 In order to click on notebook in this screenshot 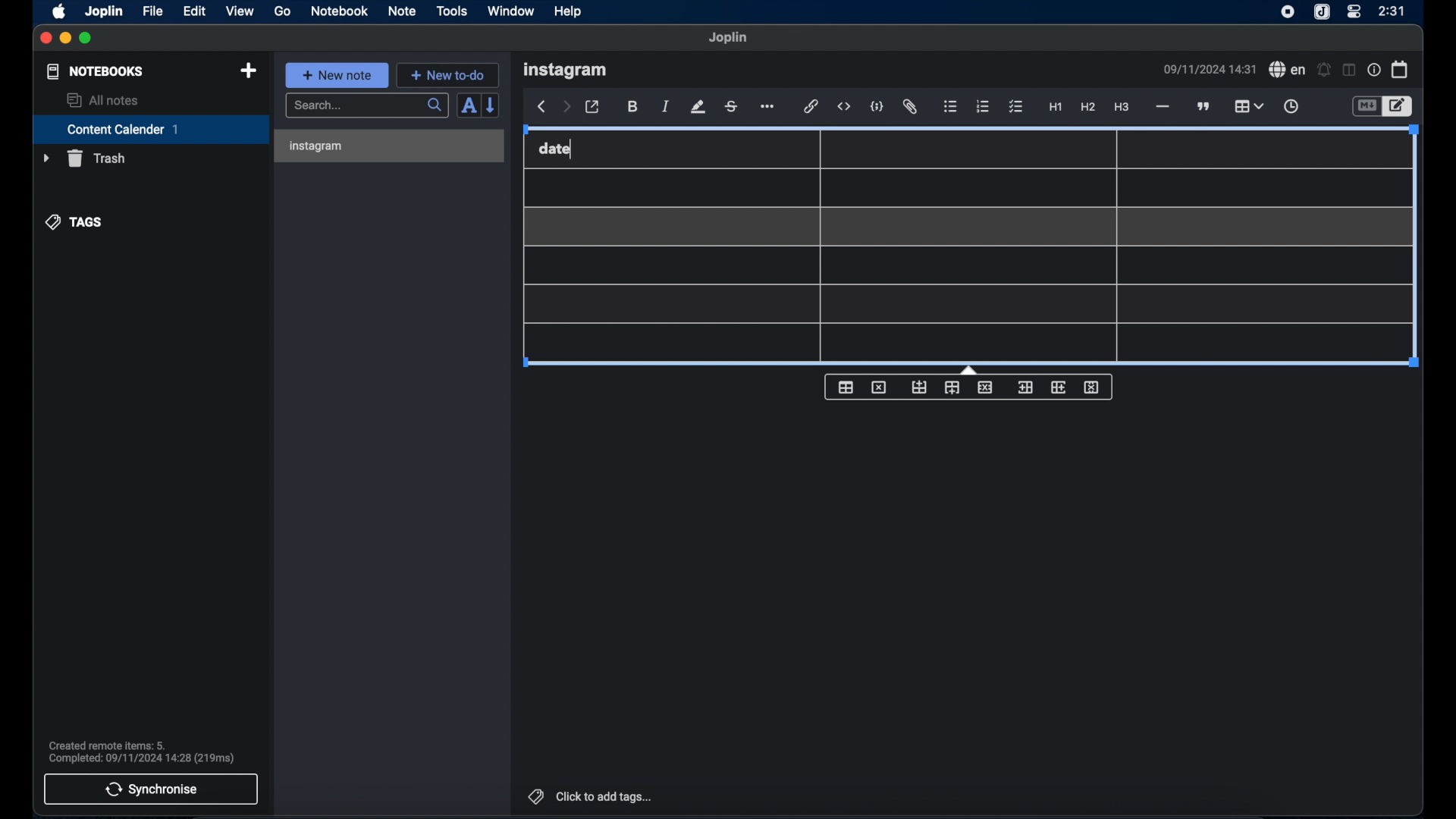, I will do `click(338, 11)`.